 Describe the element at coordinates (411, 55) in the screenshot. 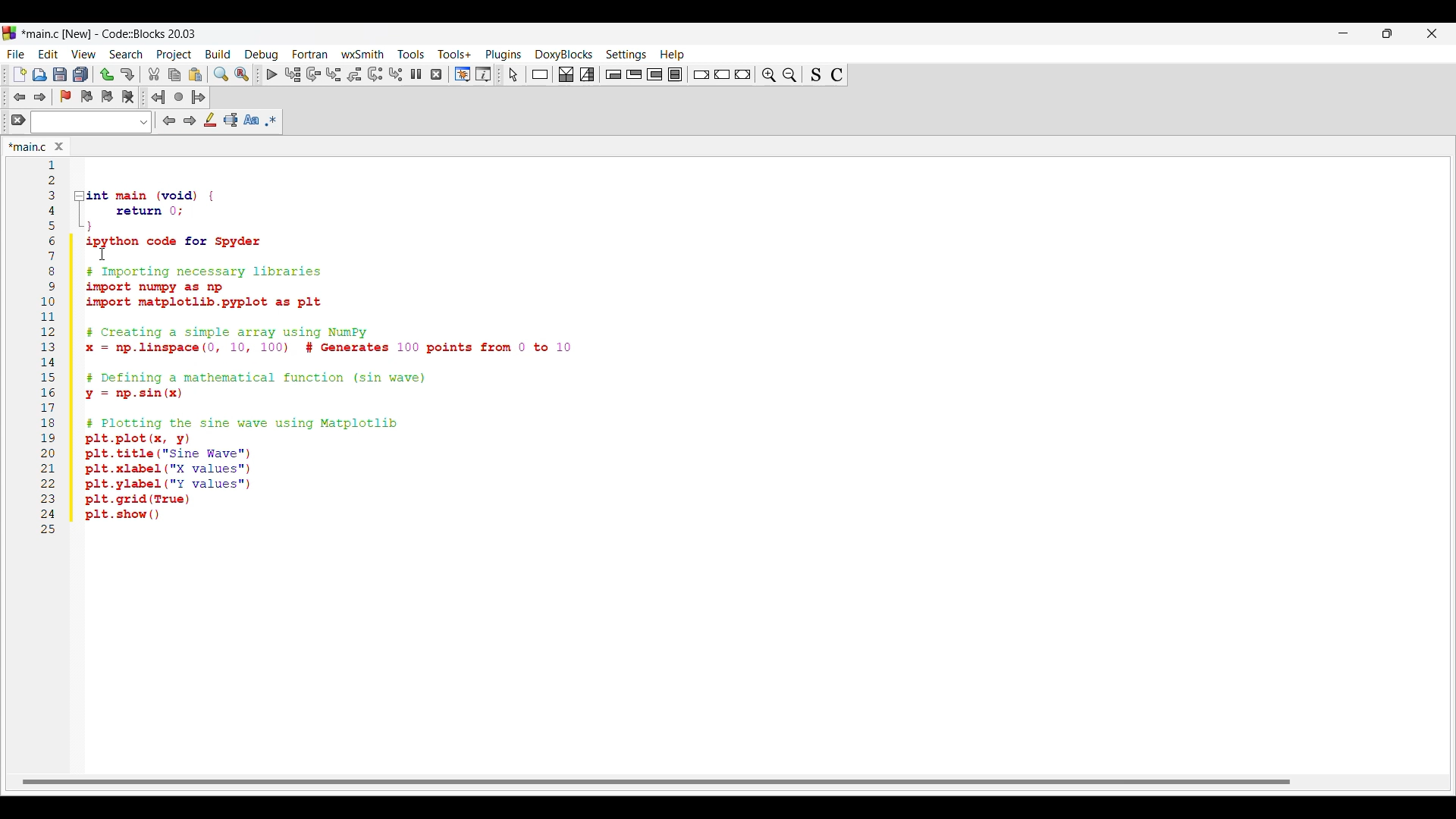

I see `Tools menu` at that location.